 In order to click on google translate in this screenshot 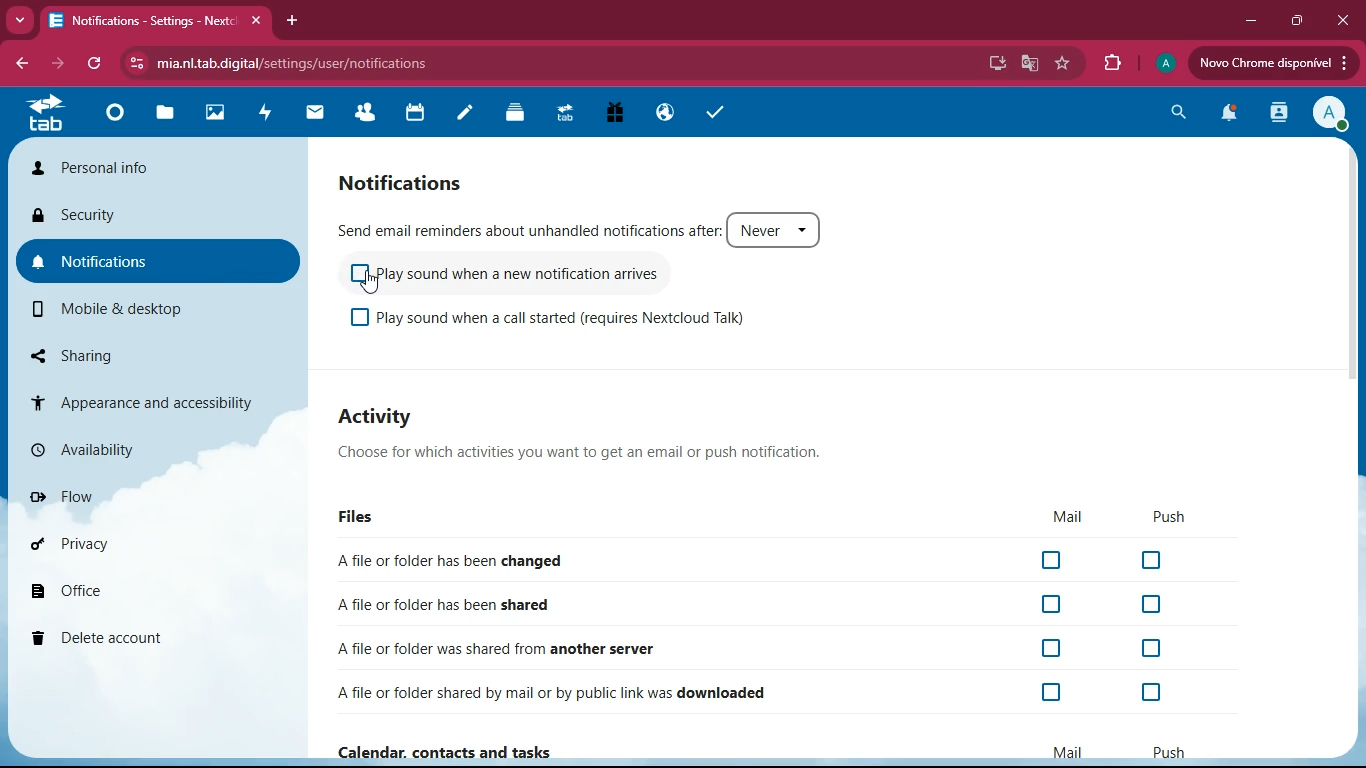, I will do `click(1030, 62)`.